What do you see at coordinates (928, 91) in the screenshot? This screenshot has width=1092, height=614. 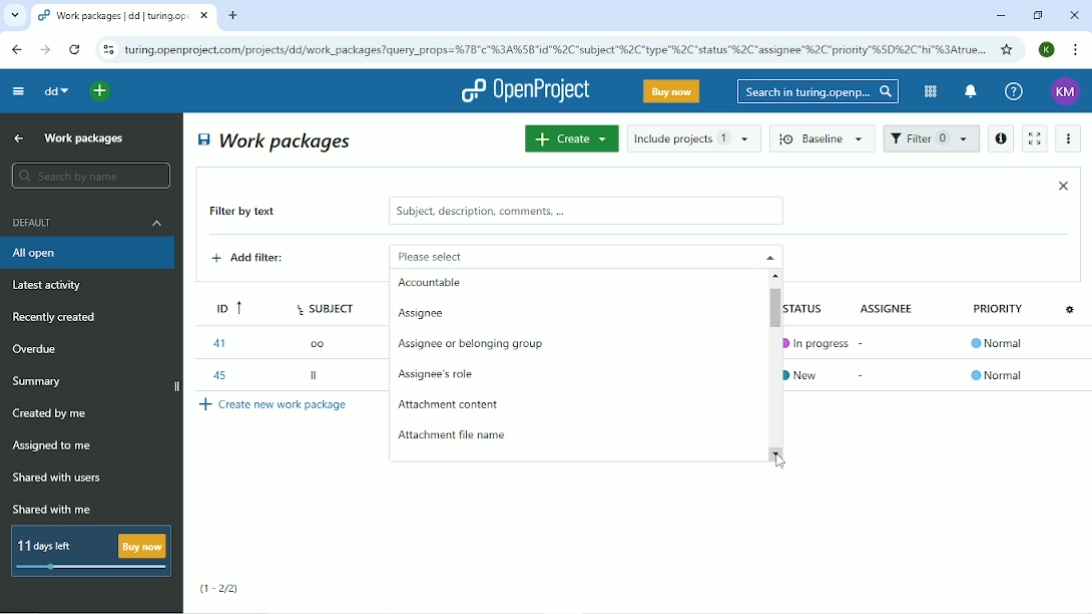 I see `Modules` at bounding box center [928, 91].